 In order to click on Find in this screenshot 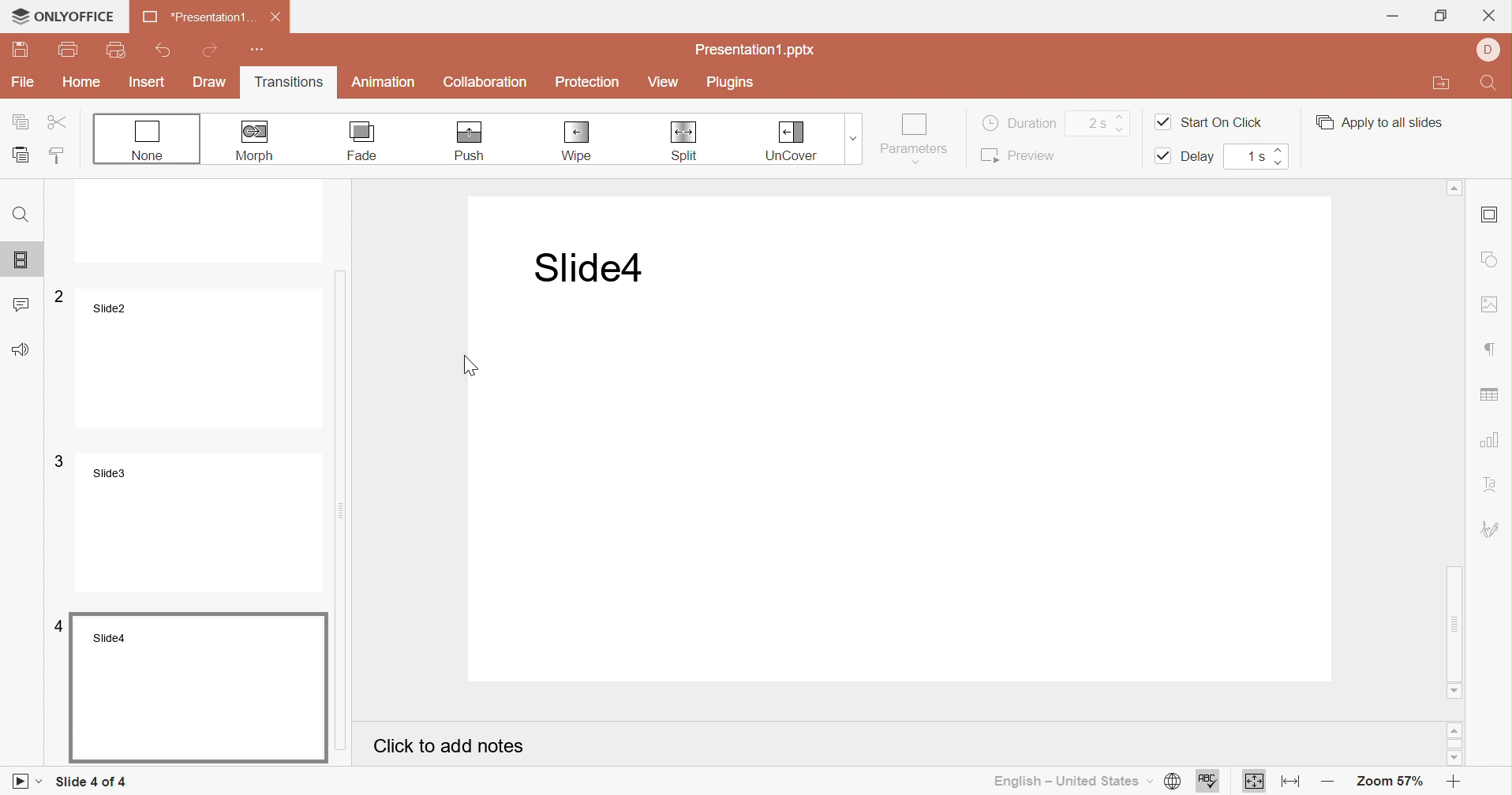, I will do `click(23, 214)`.